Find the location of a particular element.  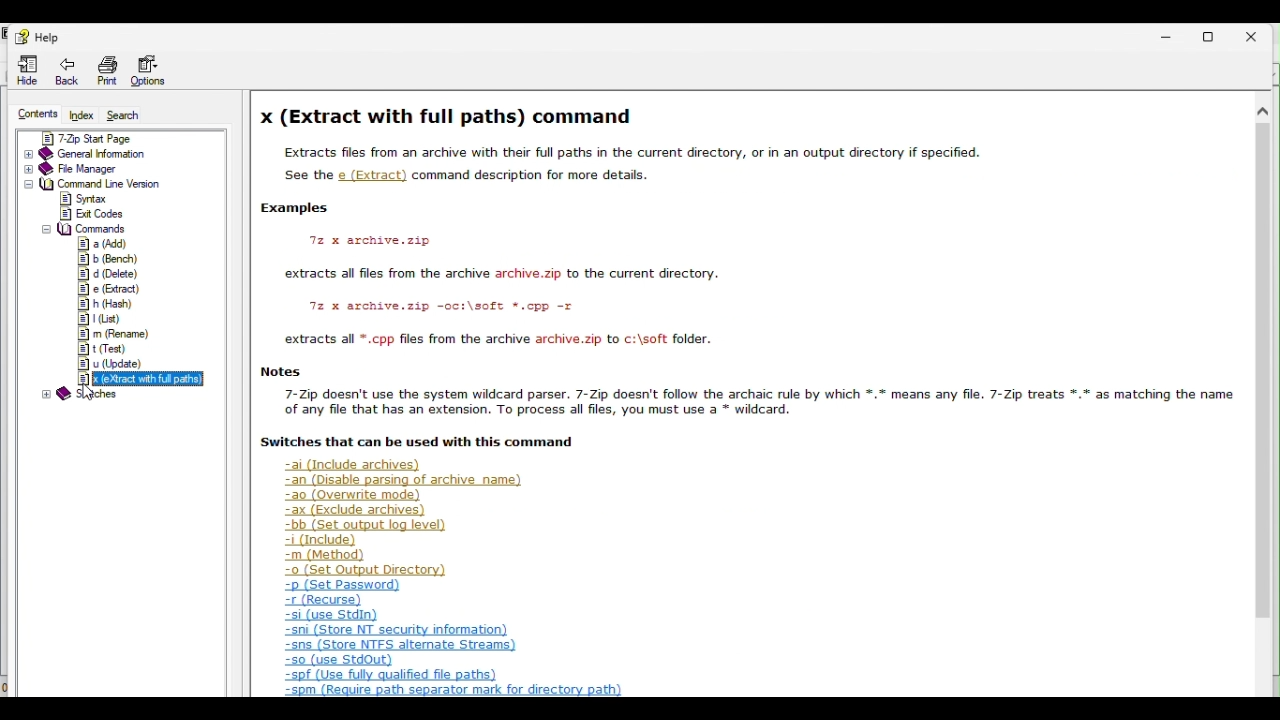

L (List) is located at coordinates (108, 318).